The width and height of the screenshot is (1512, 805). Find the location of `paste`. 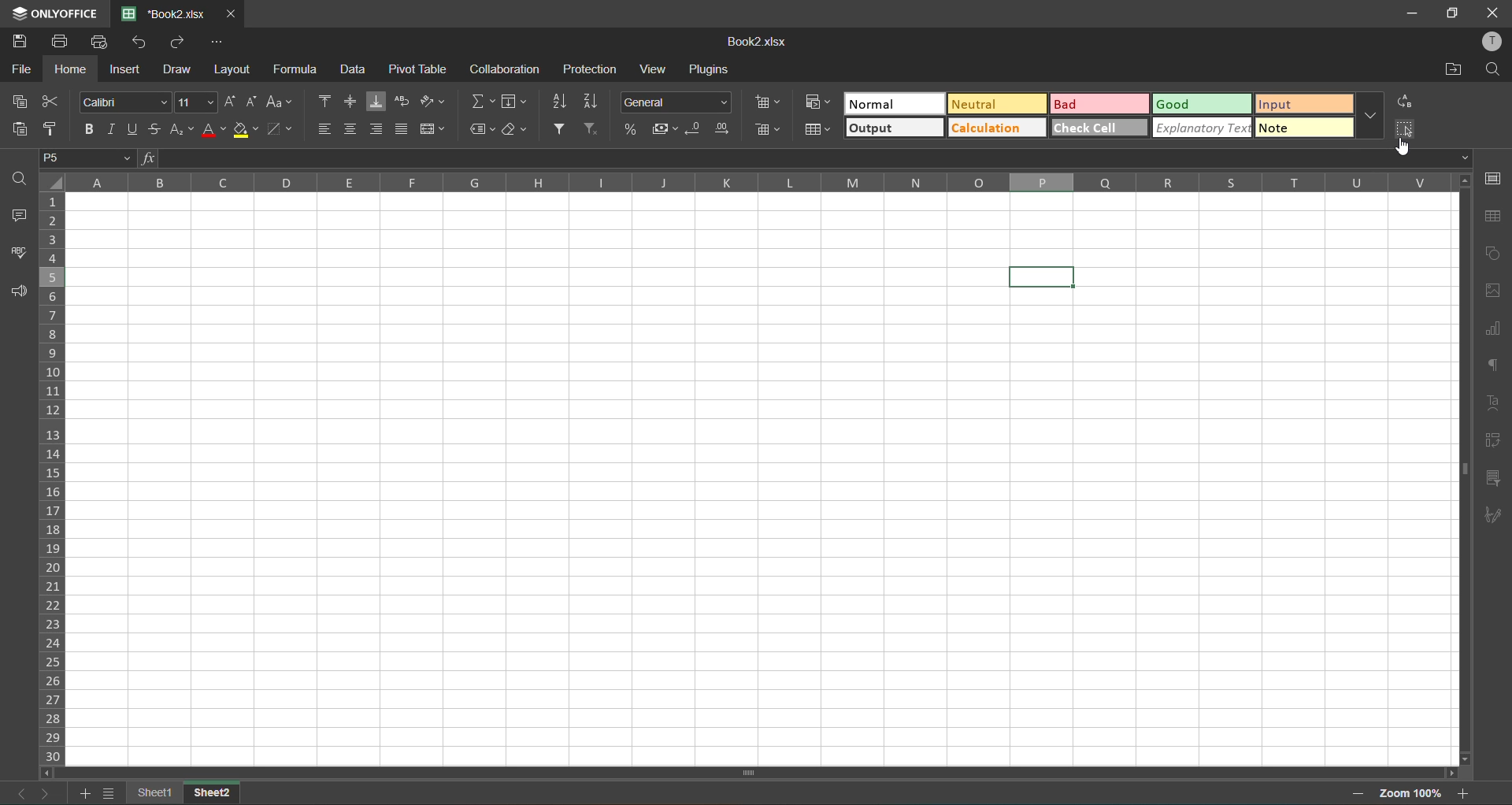

paste is located at coordinates (18, 131).